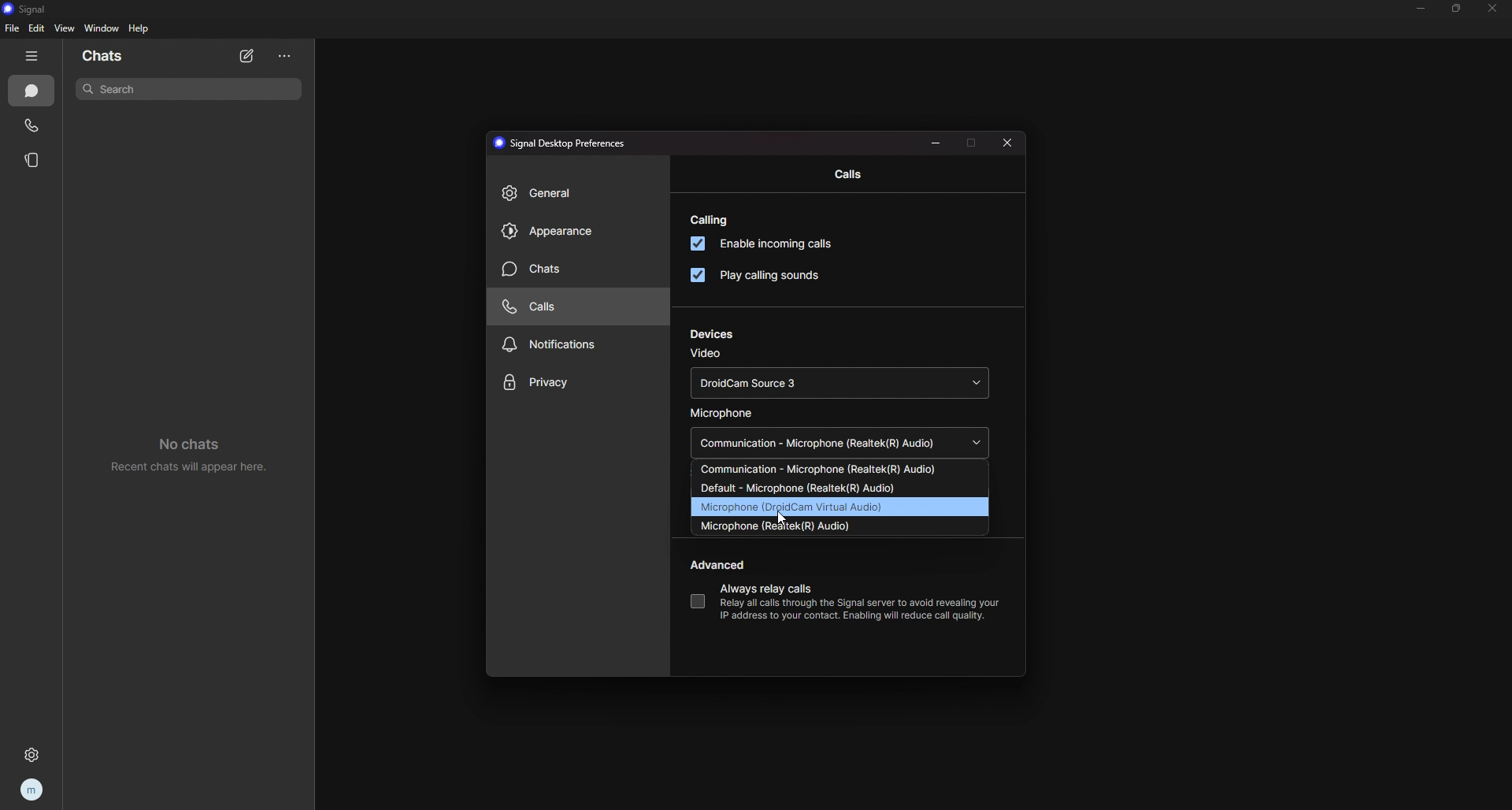  What do you see at coordinates (1457, 9) in the screenshot?
I see `resize` at bounding box center [1457, 9].